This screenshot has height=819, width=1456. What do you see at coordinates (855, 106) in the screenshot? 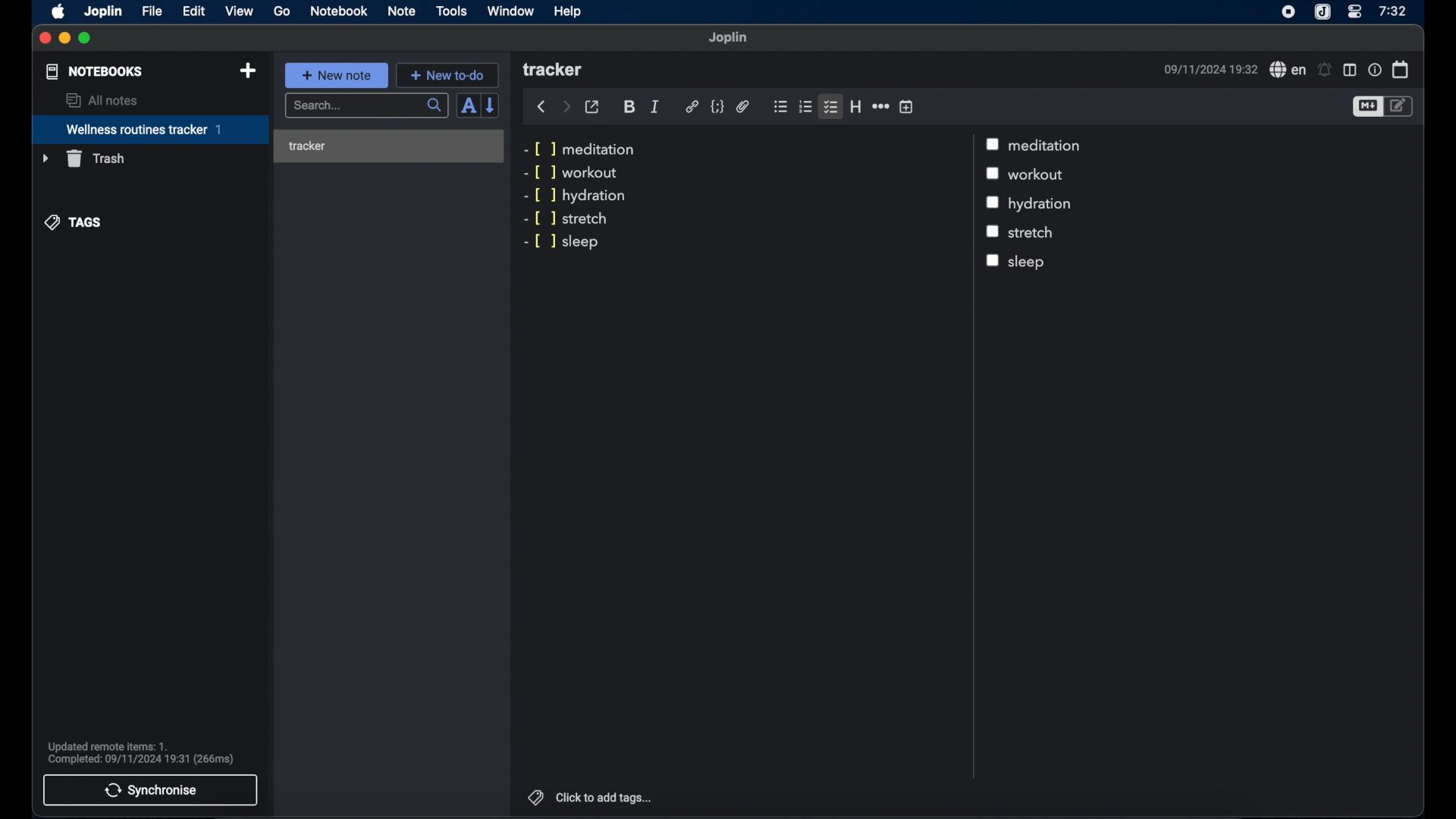
I see `heading` at bounding box center [855, 106].